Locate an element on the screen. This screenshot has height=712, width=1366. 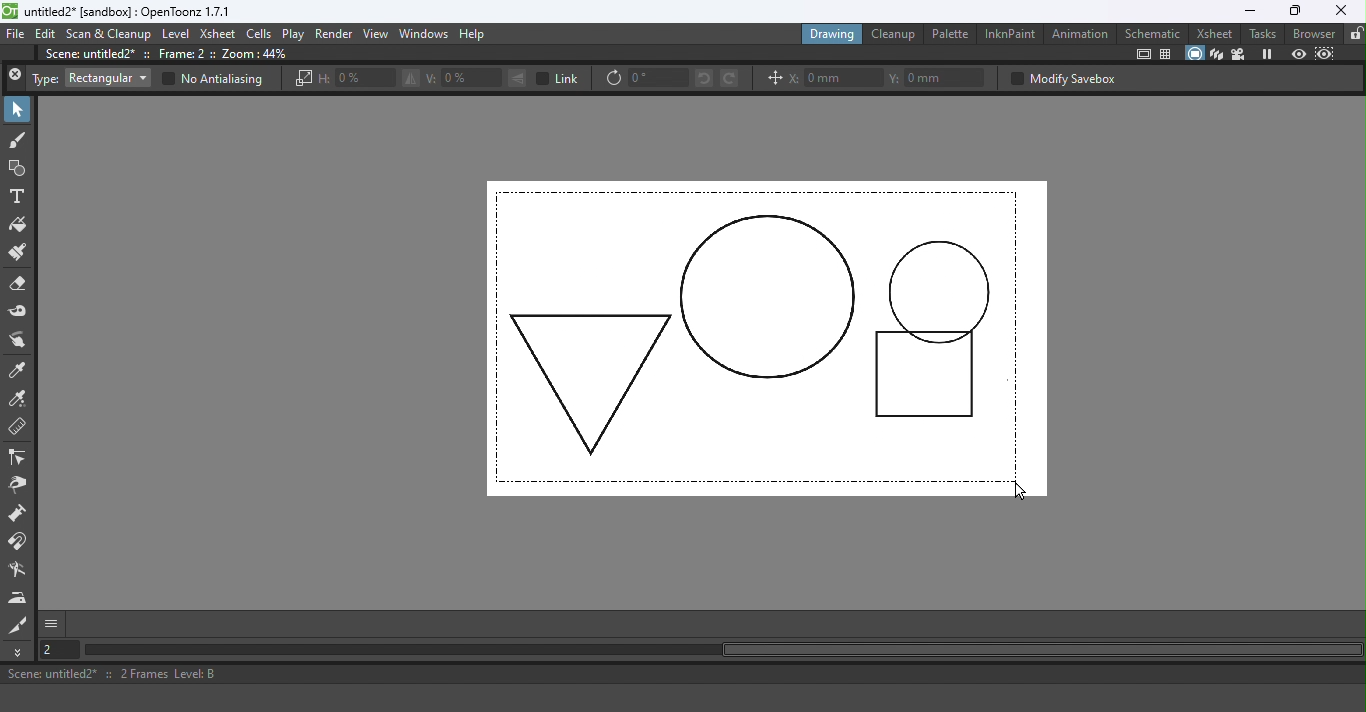
RGB Picker tool is located at coordinates (19, 400).